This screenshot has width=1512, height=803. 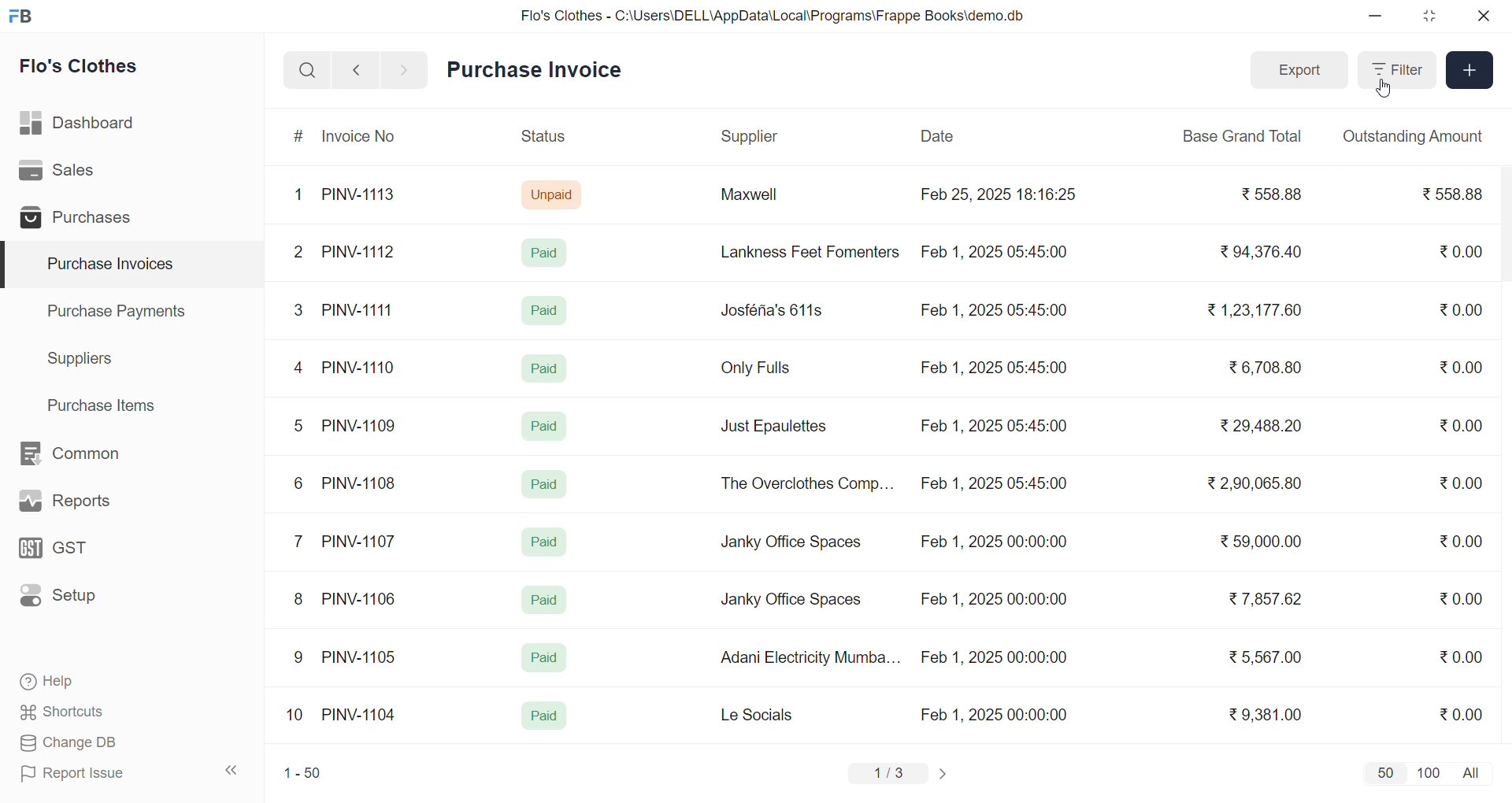 What do you see at coordinates (791, 601) in the screenshot?
I see `Janky Office Spaces` at bounding box center [791, 601].